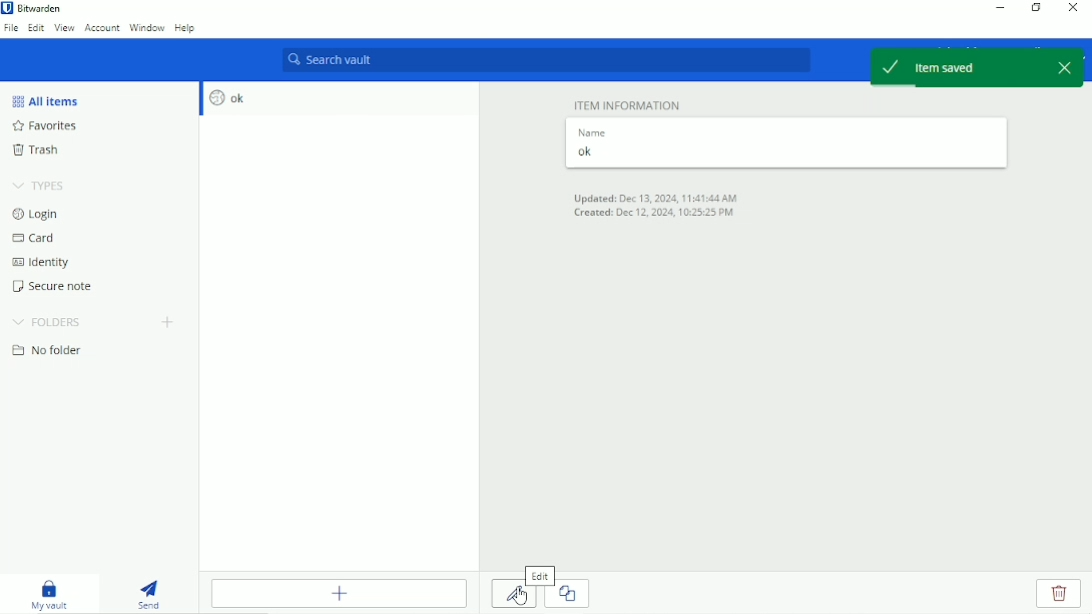  What do you see at coordinates (44, 101) in the screenshot?
I see `All items` at bounding box center [44, 101].